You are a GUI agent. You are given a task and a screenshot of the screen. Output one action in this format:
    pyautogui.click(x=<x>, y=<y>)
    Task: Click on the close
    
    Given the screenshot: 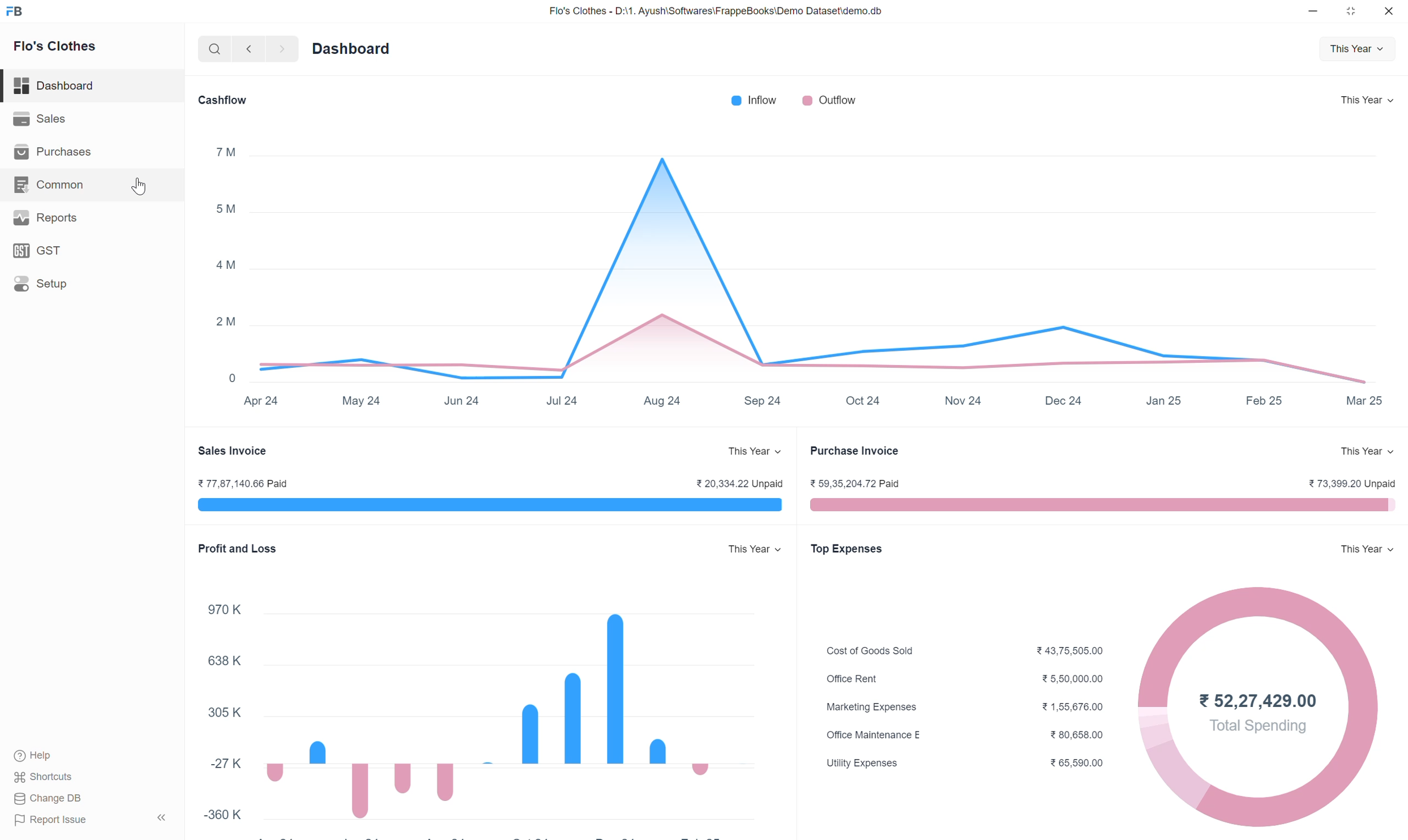 What is the action you would take?
    pyautogui.click(x=1390, y=12)
    